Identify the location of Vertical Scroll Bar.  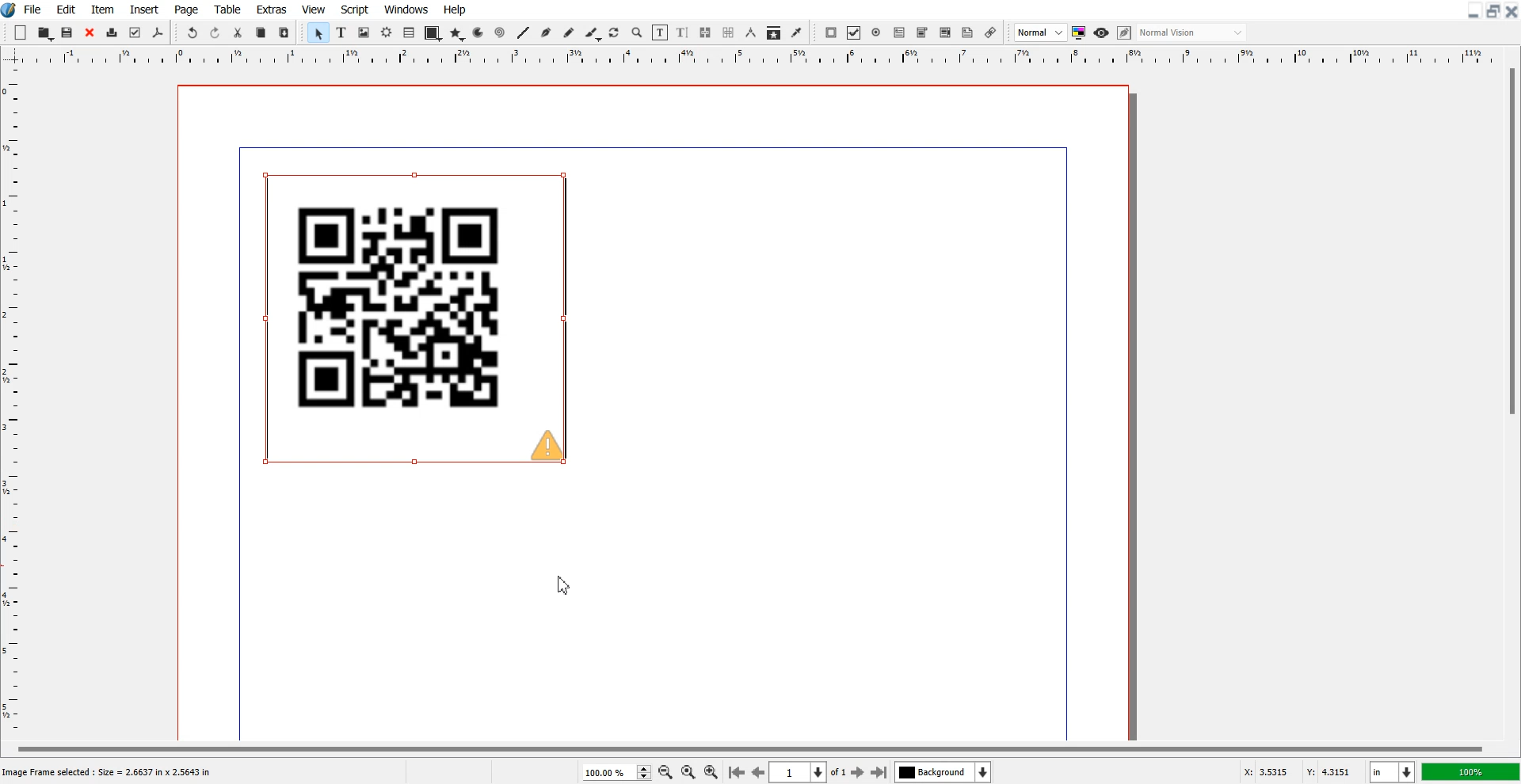
(1510, 401).